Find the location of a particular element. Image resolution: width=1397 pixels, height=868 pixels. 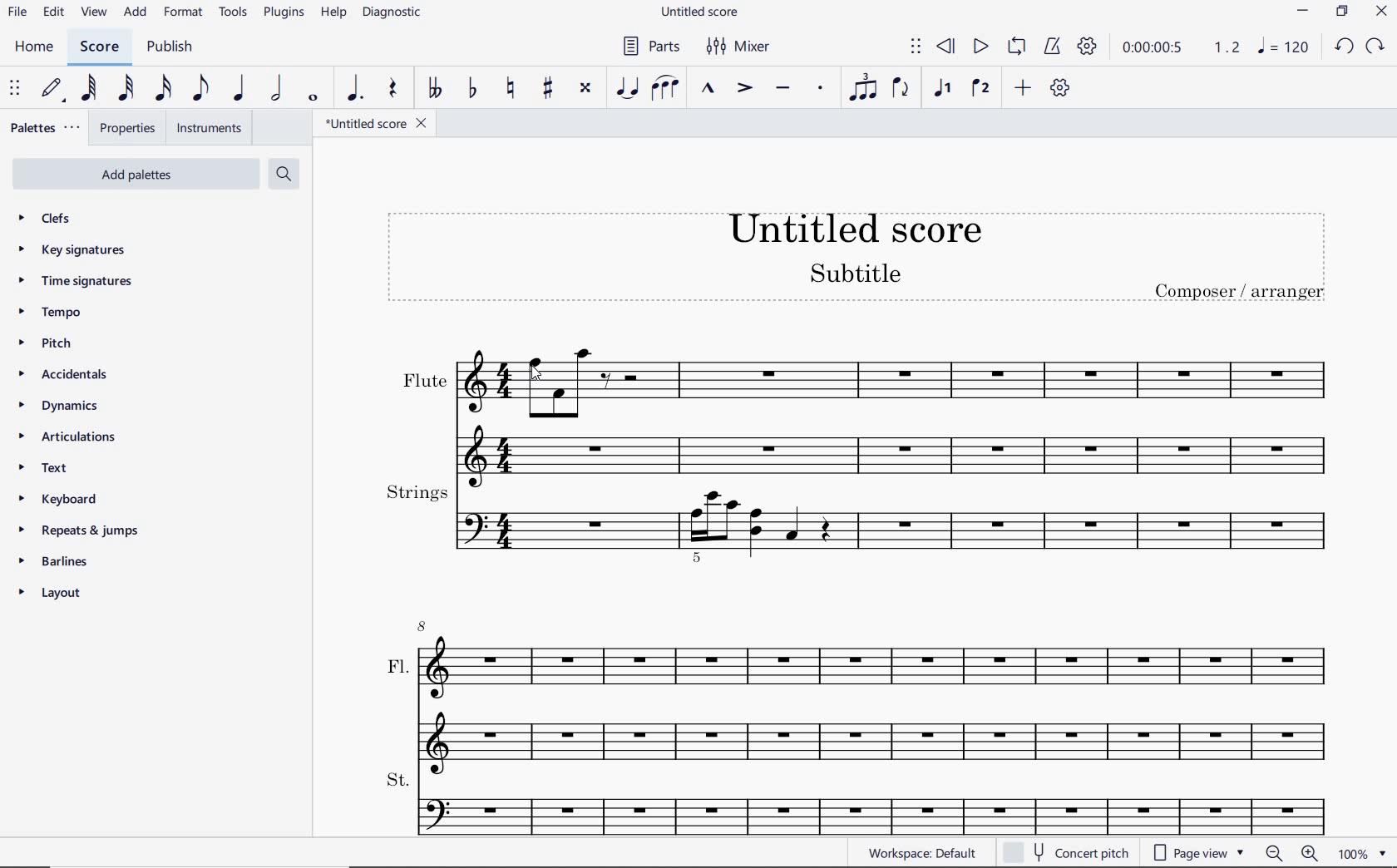

TENUTO is located at coordinates (783, 89).